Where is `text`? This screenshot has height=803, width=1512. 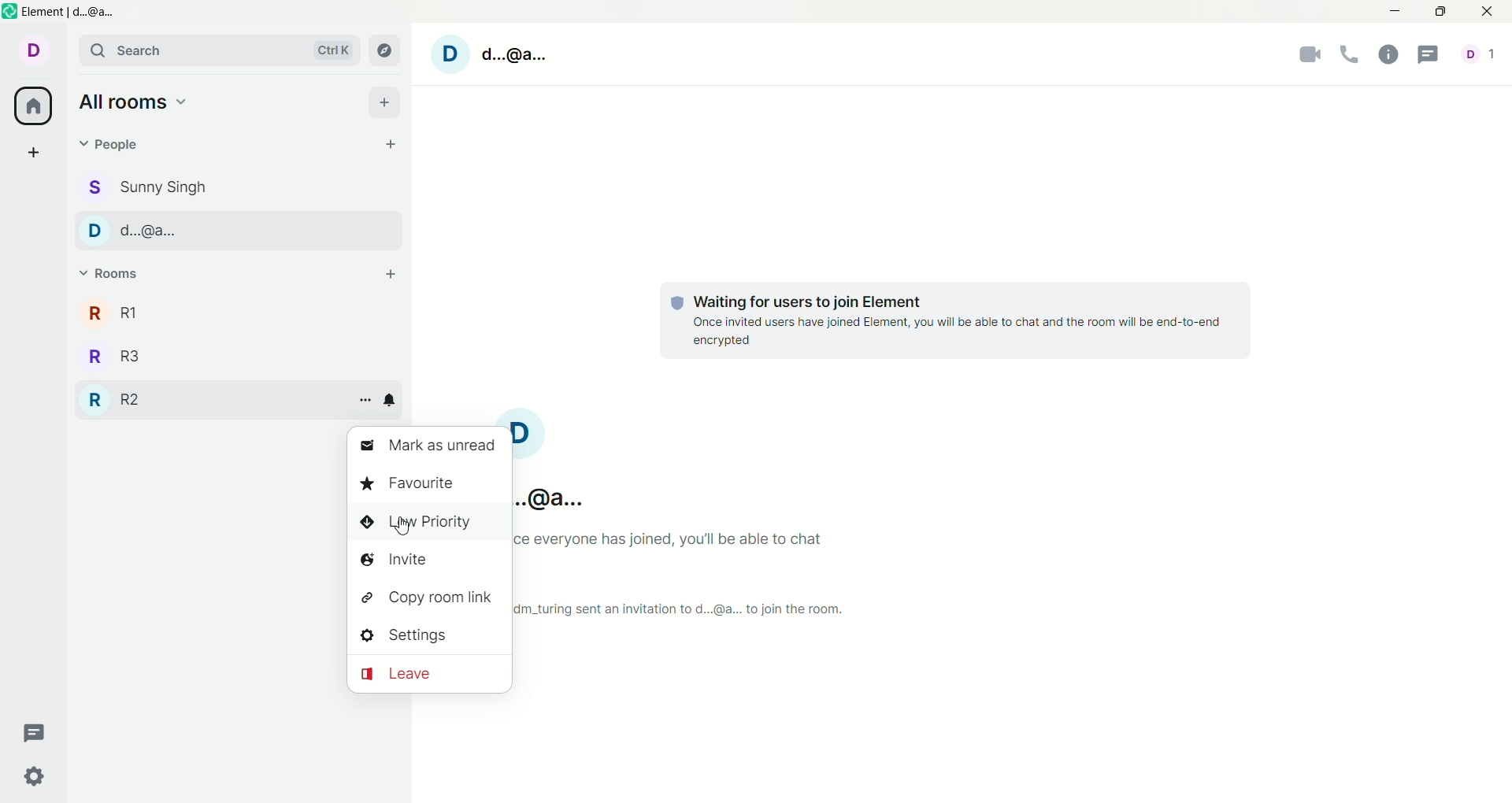
text is located at coordinates (694, 517).